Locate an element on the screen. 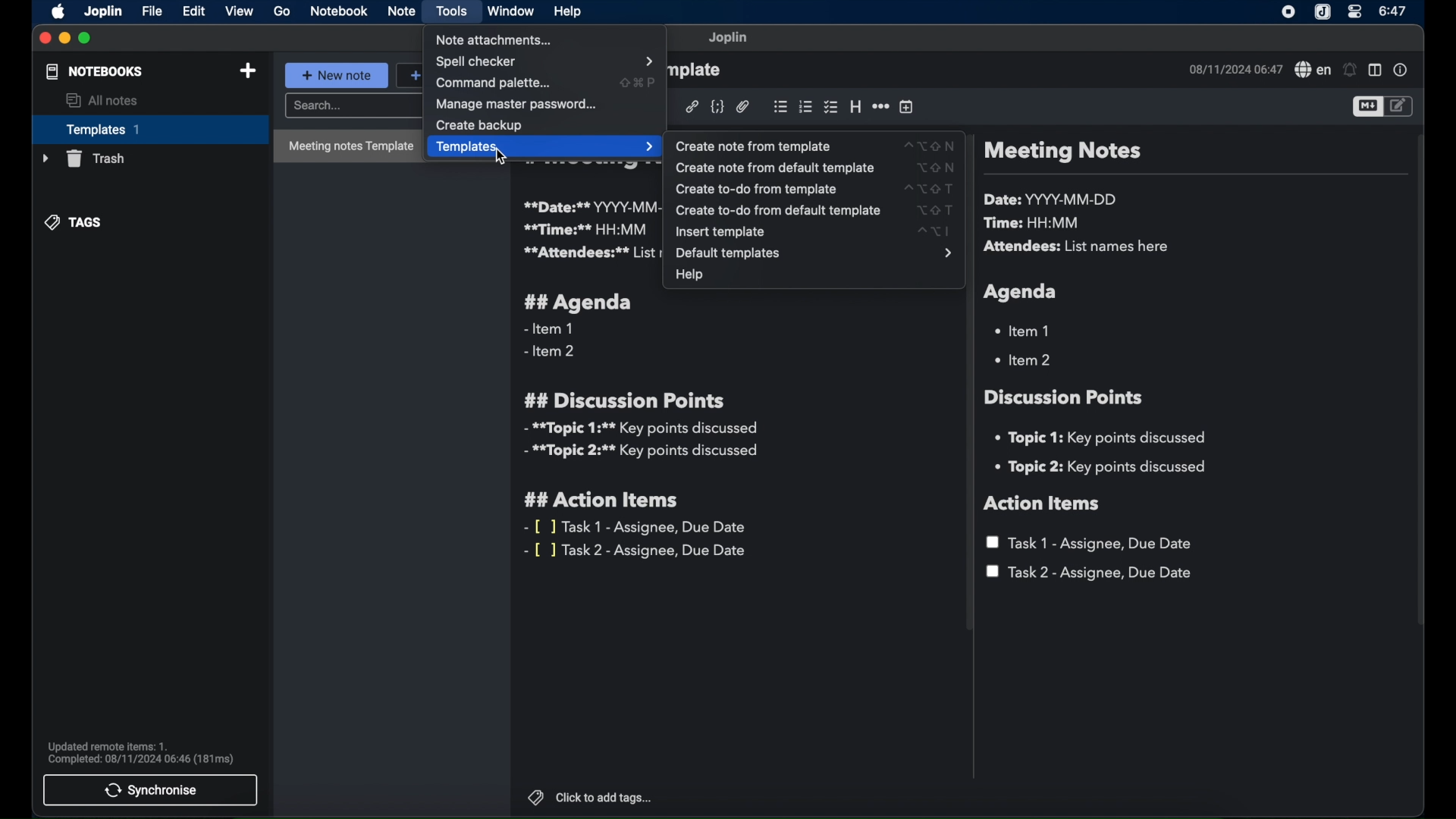  note is located at coordinates (401, 11).